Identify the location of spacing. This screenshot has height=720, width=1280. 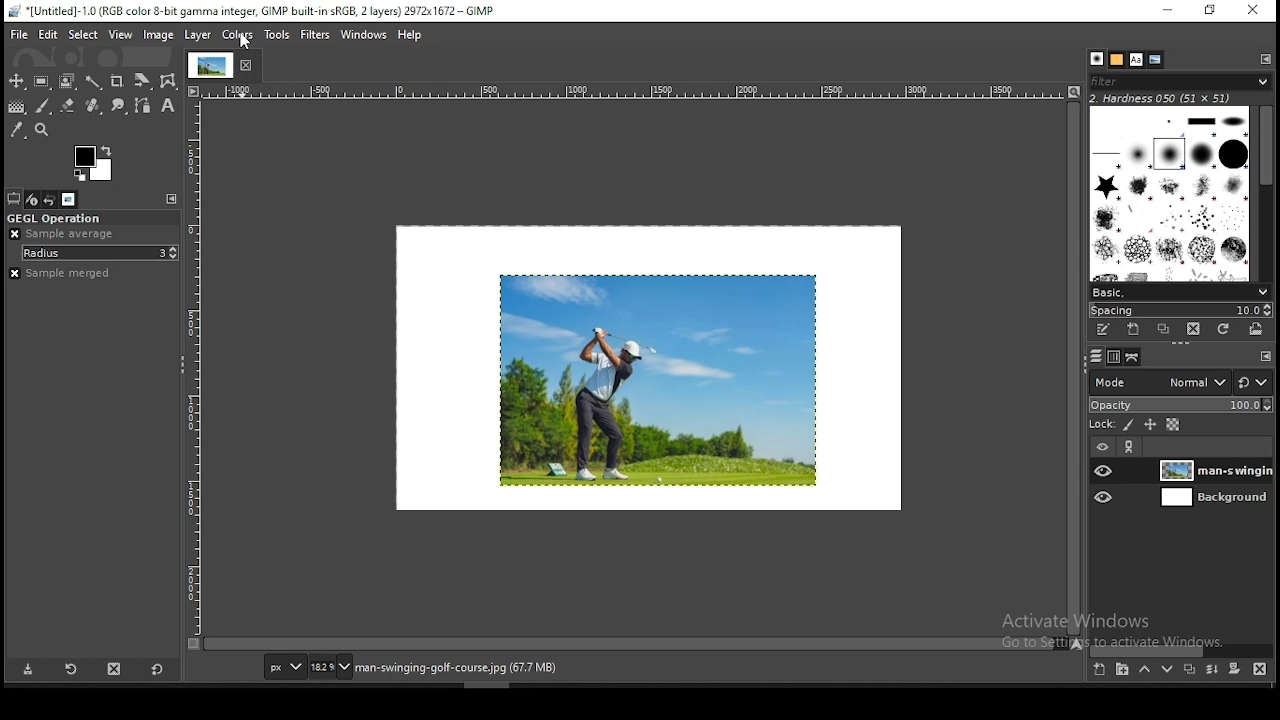
(1178, 310).